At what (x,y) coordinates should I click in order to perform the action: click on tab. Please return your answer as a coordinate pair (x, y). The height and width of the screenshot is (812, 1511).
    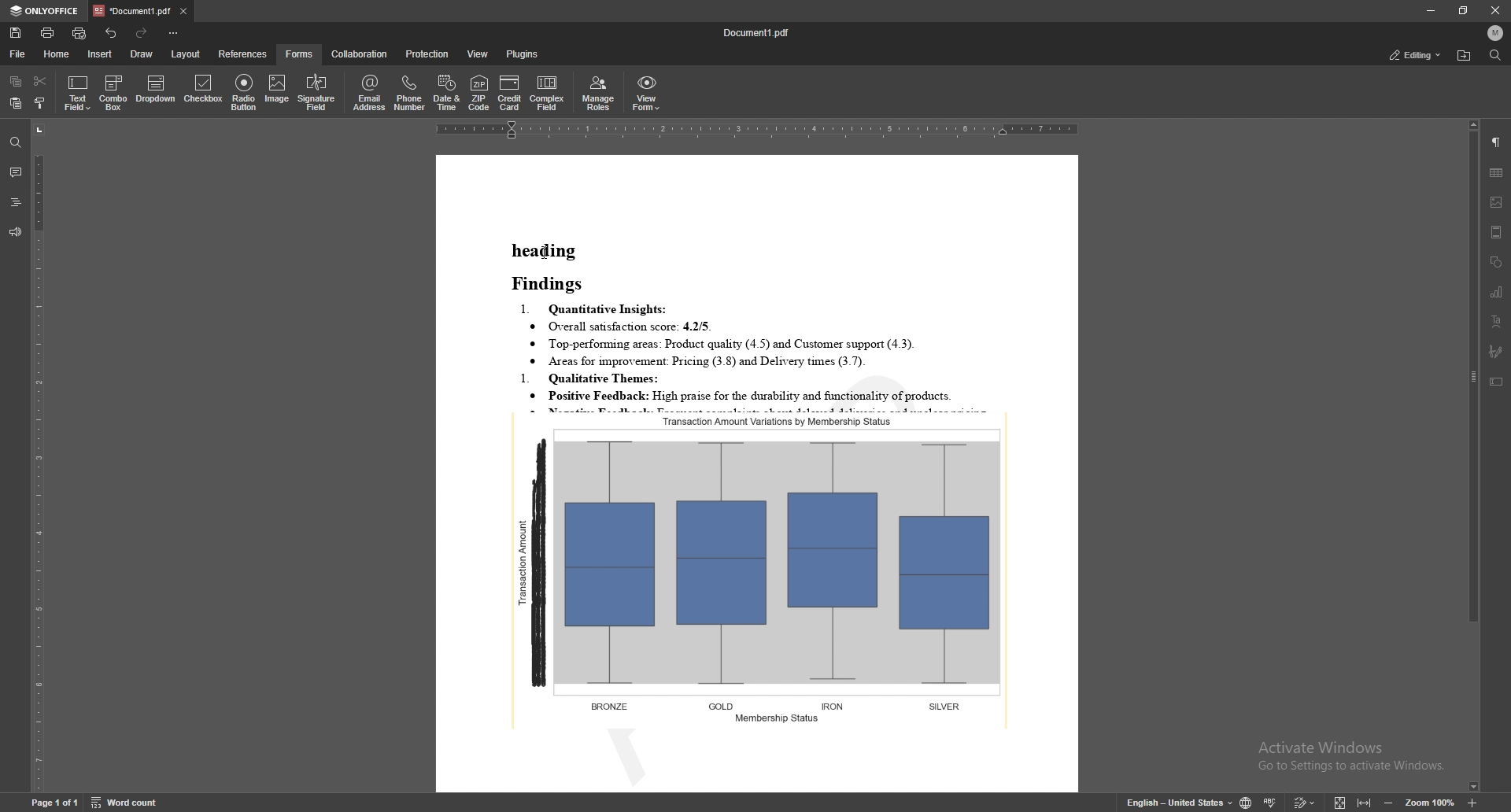
    Looking at the image, I should click on (131, 10).